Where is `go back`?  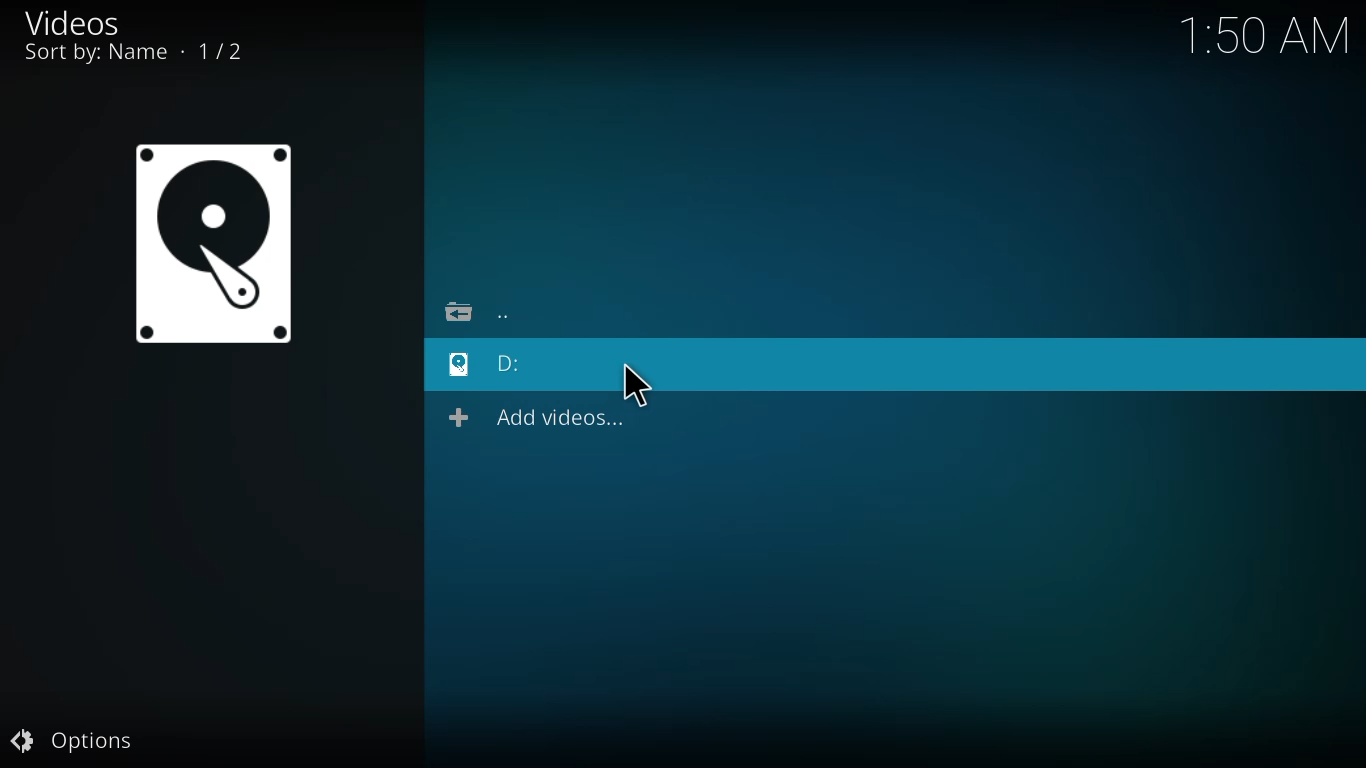 go back is located at coordinates (479, 313).